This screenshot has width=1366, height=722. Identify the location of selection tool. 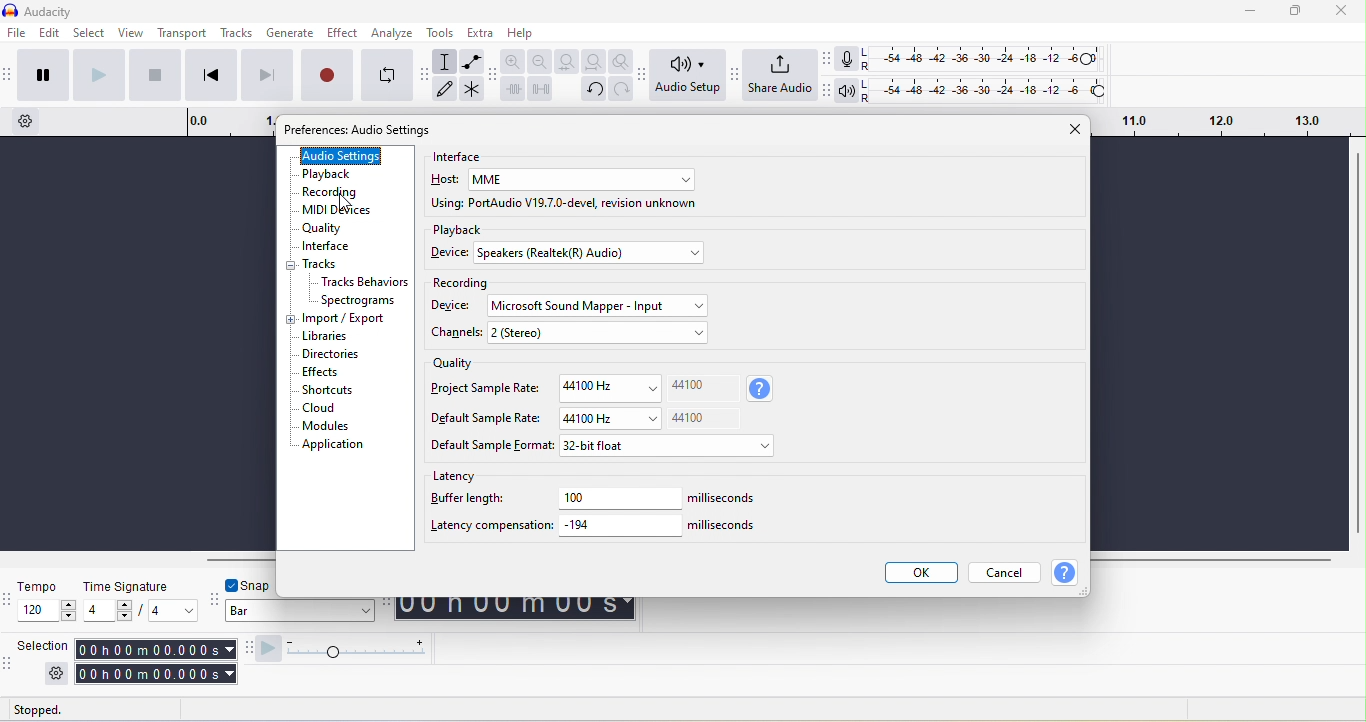
(447, 60).